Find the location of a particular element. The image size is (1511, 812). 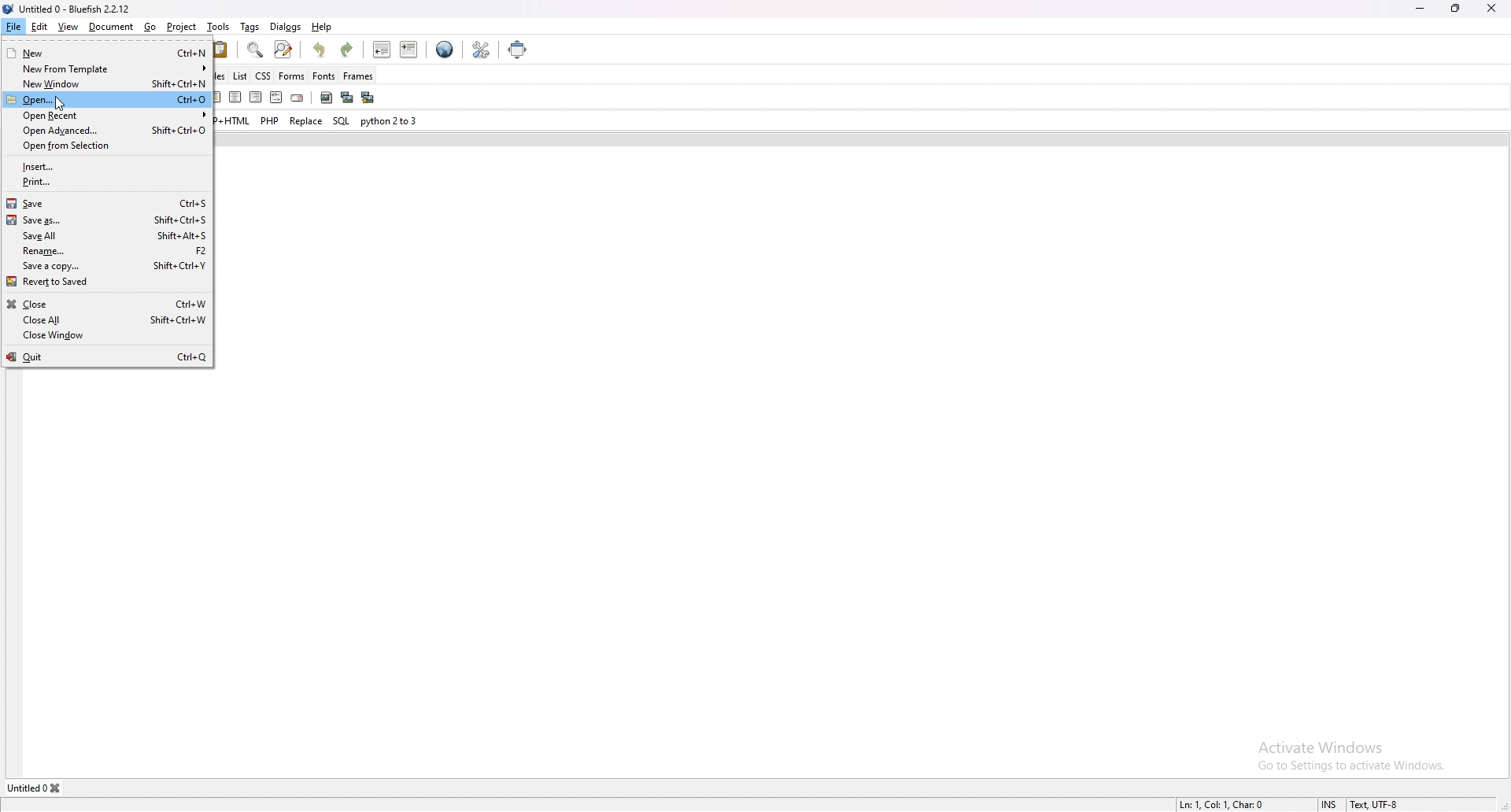

project is located at coordinates (181, 27).